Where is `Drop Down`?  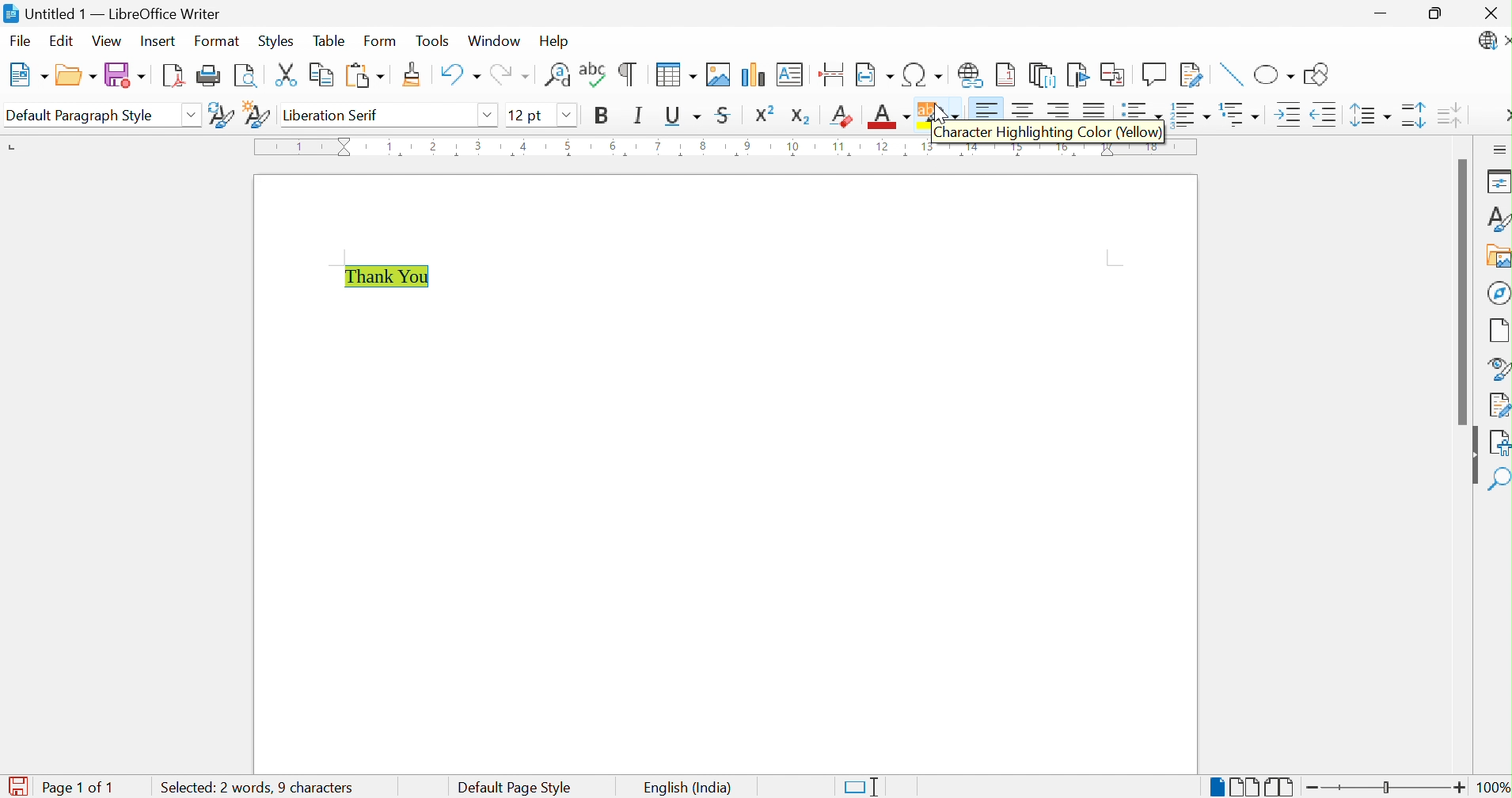 Drop Down is located at coordinates (566, 116).